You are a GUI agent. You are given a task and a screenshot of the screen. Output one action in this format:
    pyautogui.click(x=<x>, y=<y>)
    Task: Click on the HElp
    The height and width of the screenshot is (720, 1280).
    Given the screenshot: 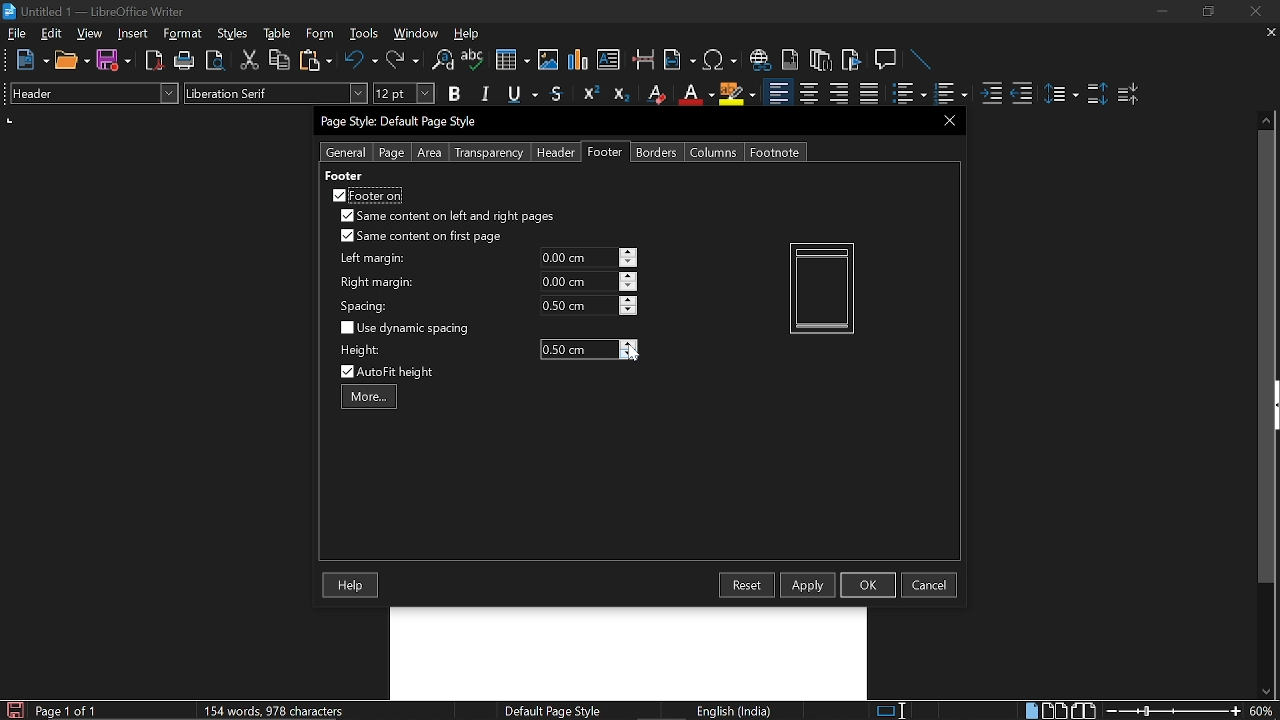 What is the action you would take?
    pyautogui.click(x=468, y=33)
    